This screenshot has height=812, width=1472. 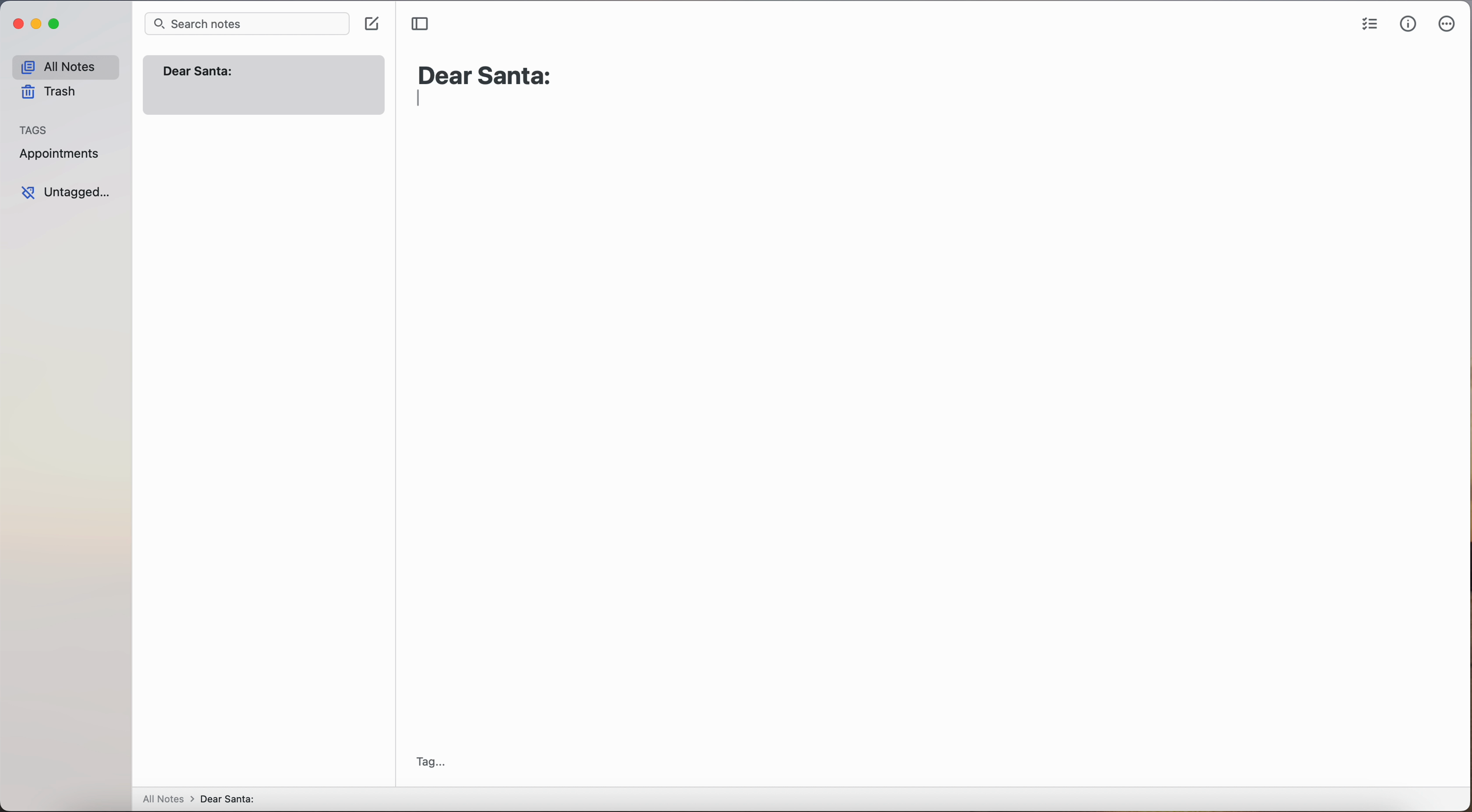 I want to click on tag, so click(x=443, y=768).